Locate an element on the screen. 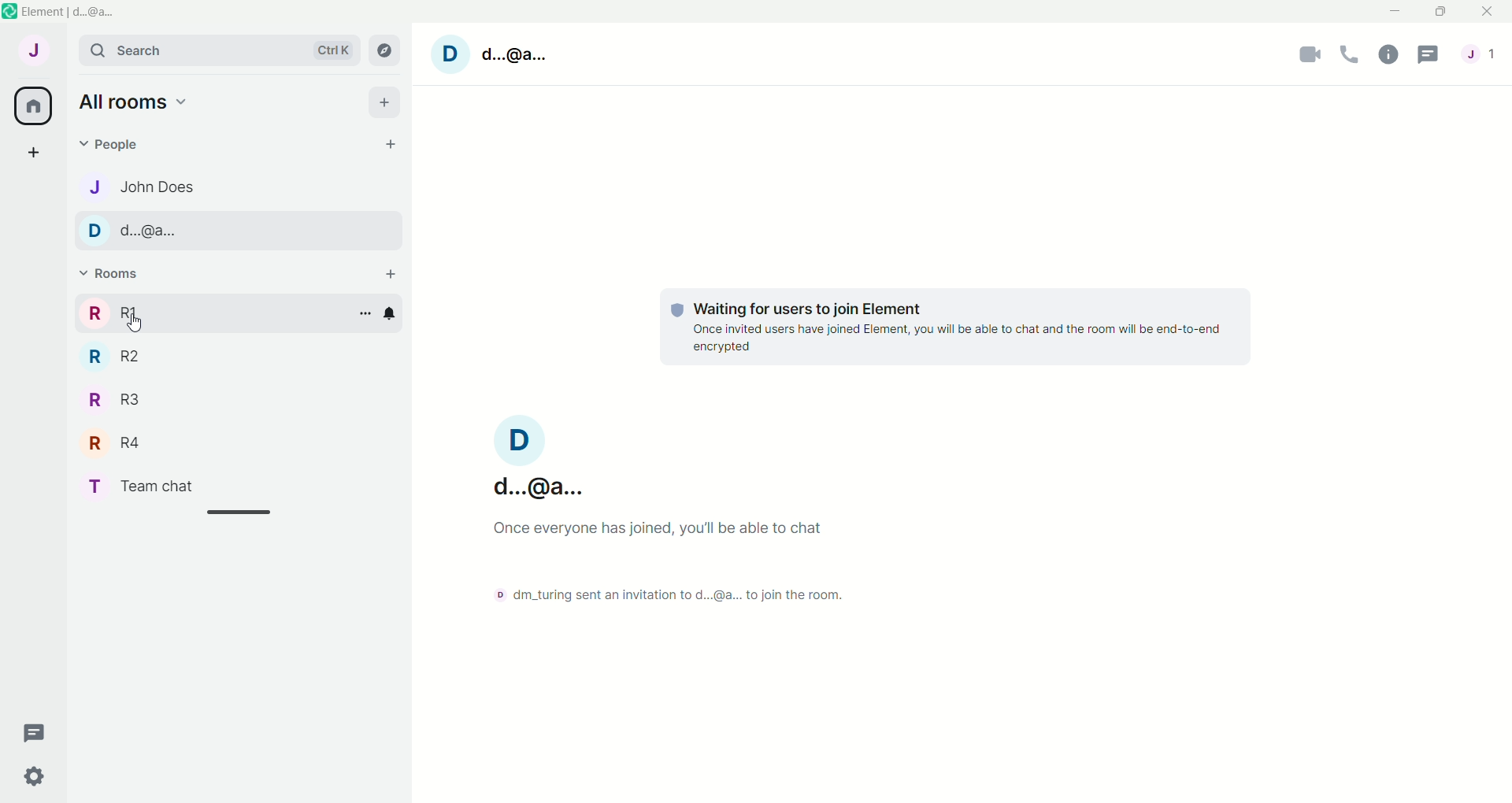 The image size is (1512, 803). maximize is located at coordinates (1440, 13).